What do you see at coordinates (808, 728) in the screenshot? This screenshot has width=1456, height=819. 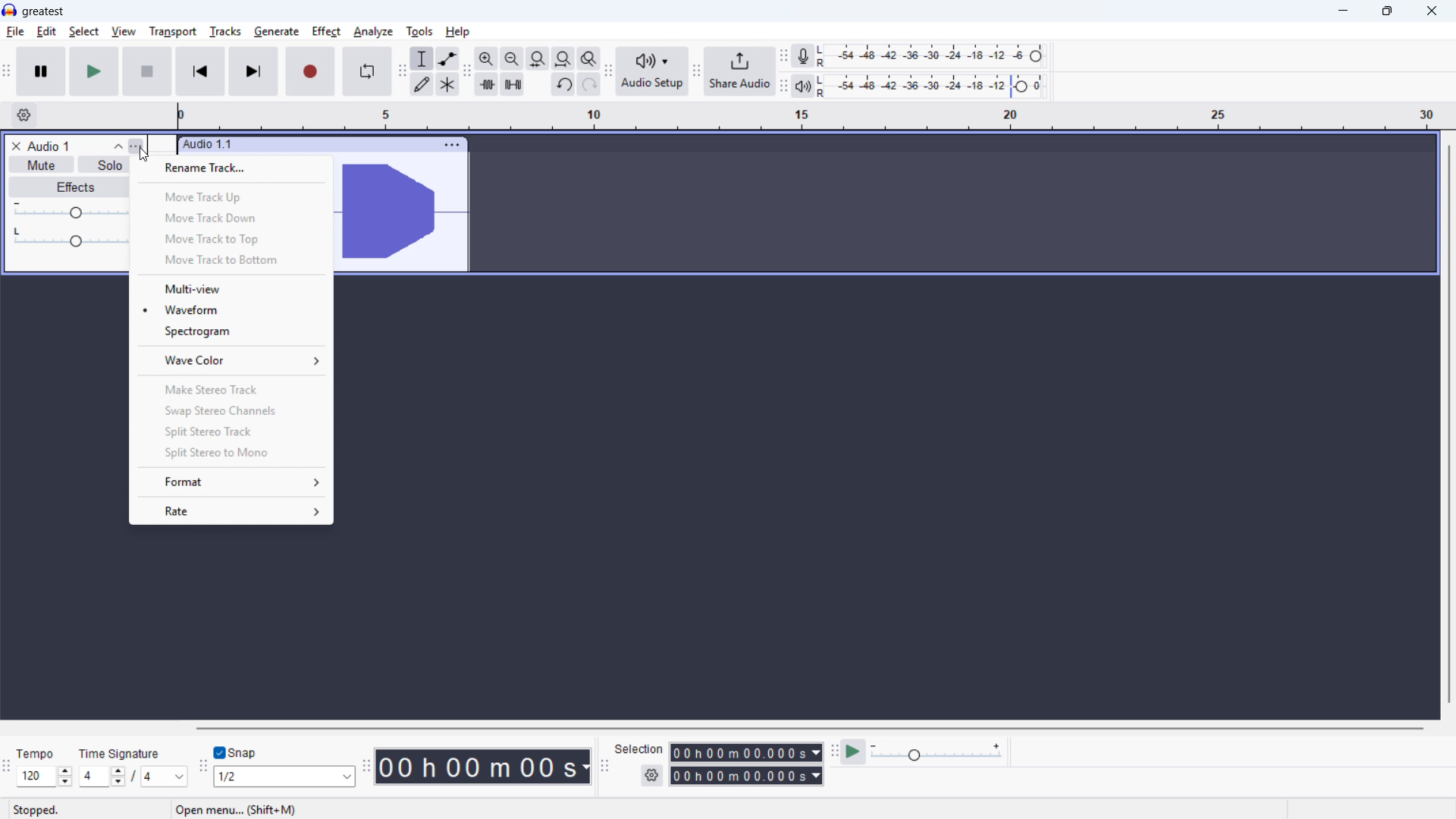 I see `Horizontal scrollbar ` at bounding box center [808, 728].